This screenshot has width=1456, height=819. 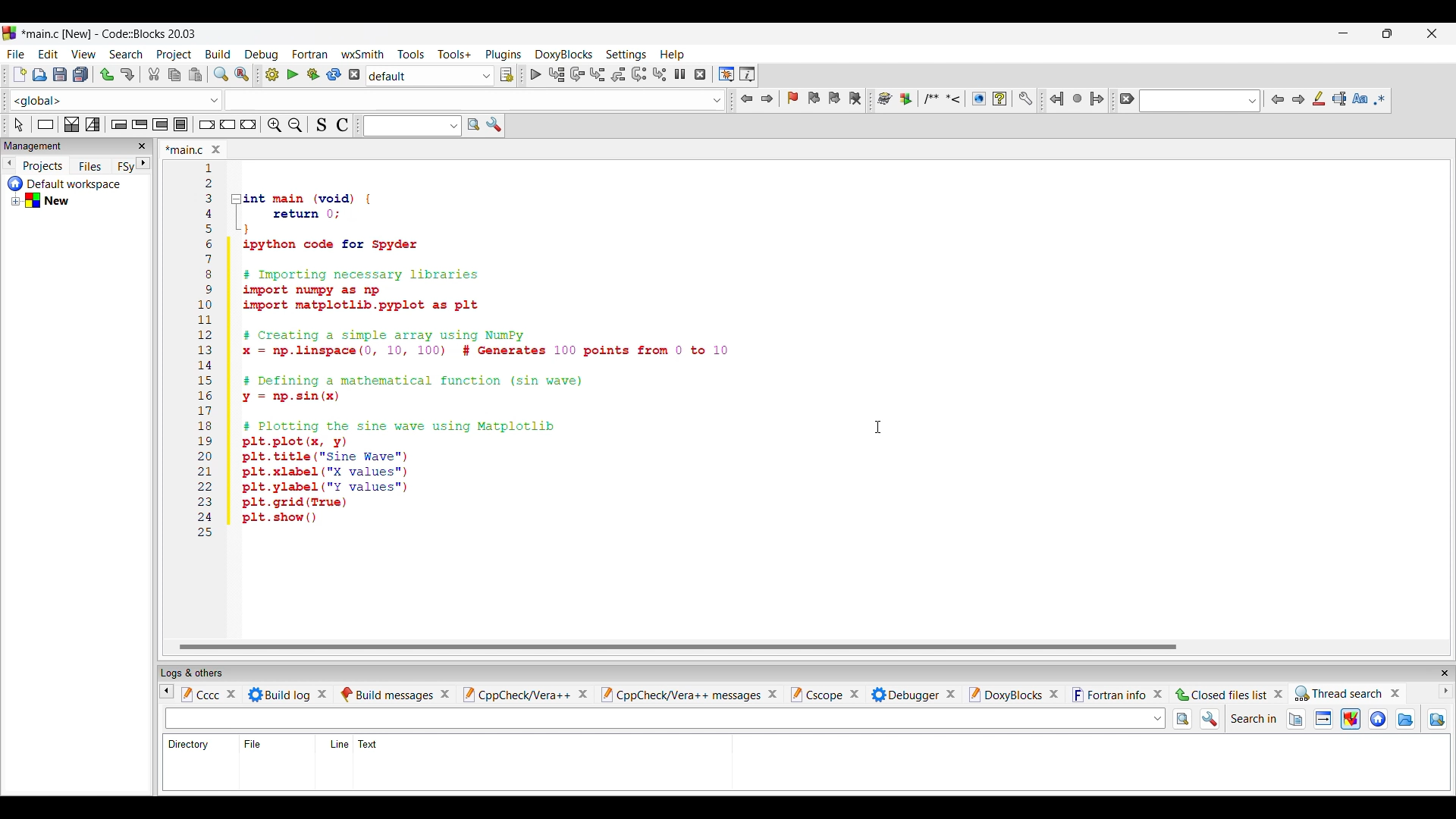 I want to click on , so click(x=362, y=742).